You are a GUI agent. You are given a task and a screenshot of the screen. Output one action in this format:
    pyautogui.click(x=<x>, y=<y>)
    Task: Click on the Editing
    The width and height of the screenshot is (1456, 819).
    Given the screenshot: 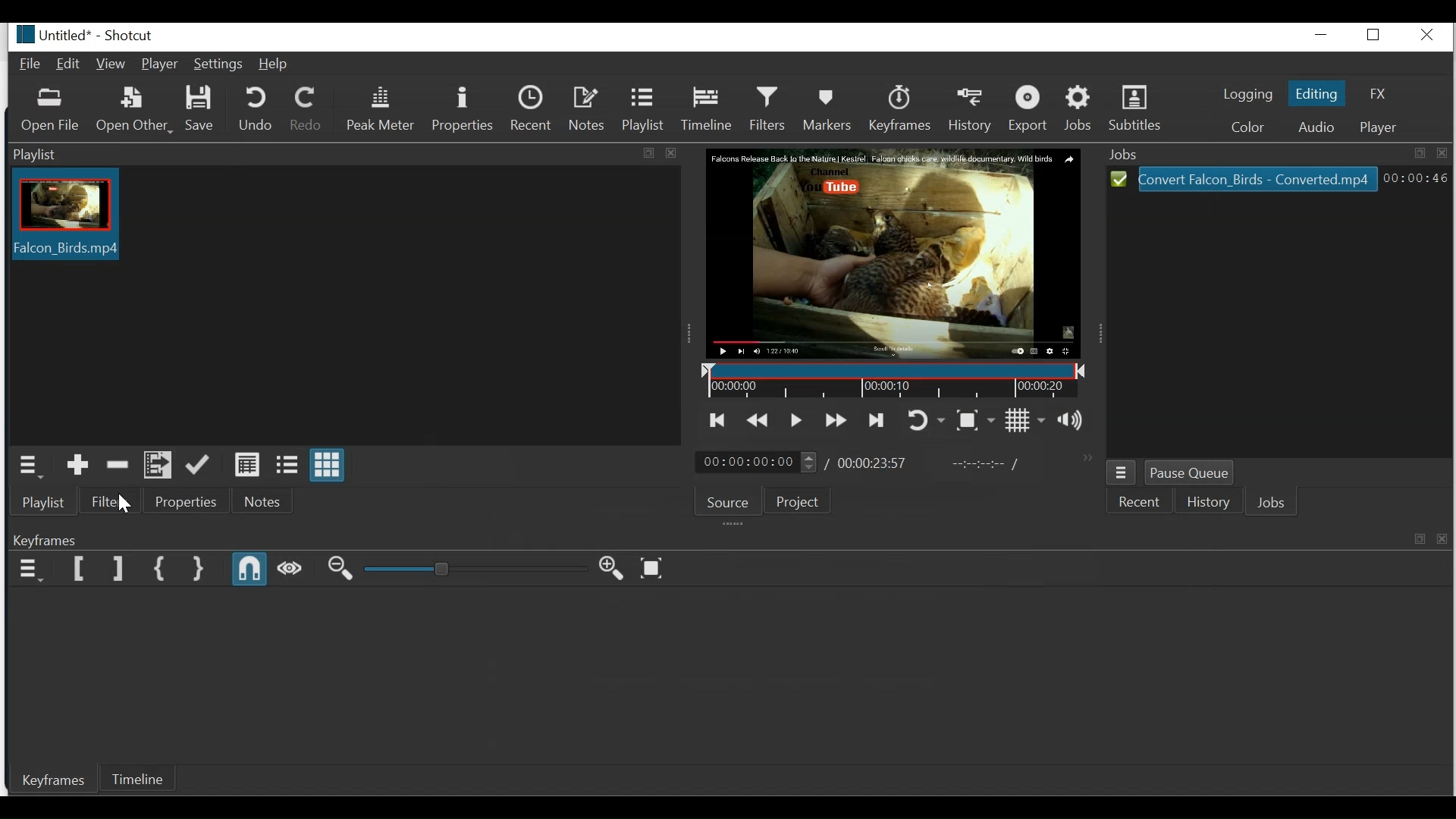 What is the action you would take?
    pyautogui.click(x=1317, y=93)
    